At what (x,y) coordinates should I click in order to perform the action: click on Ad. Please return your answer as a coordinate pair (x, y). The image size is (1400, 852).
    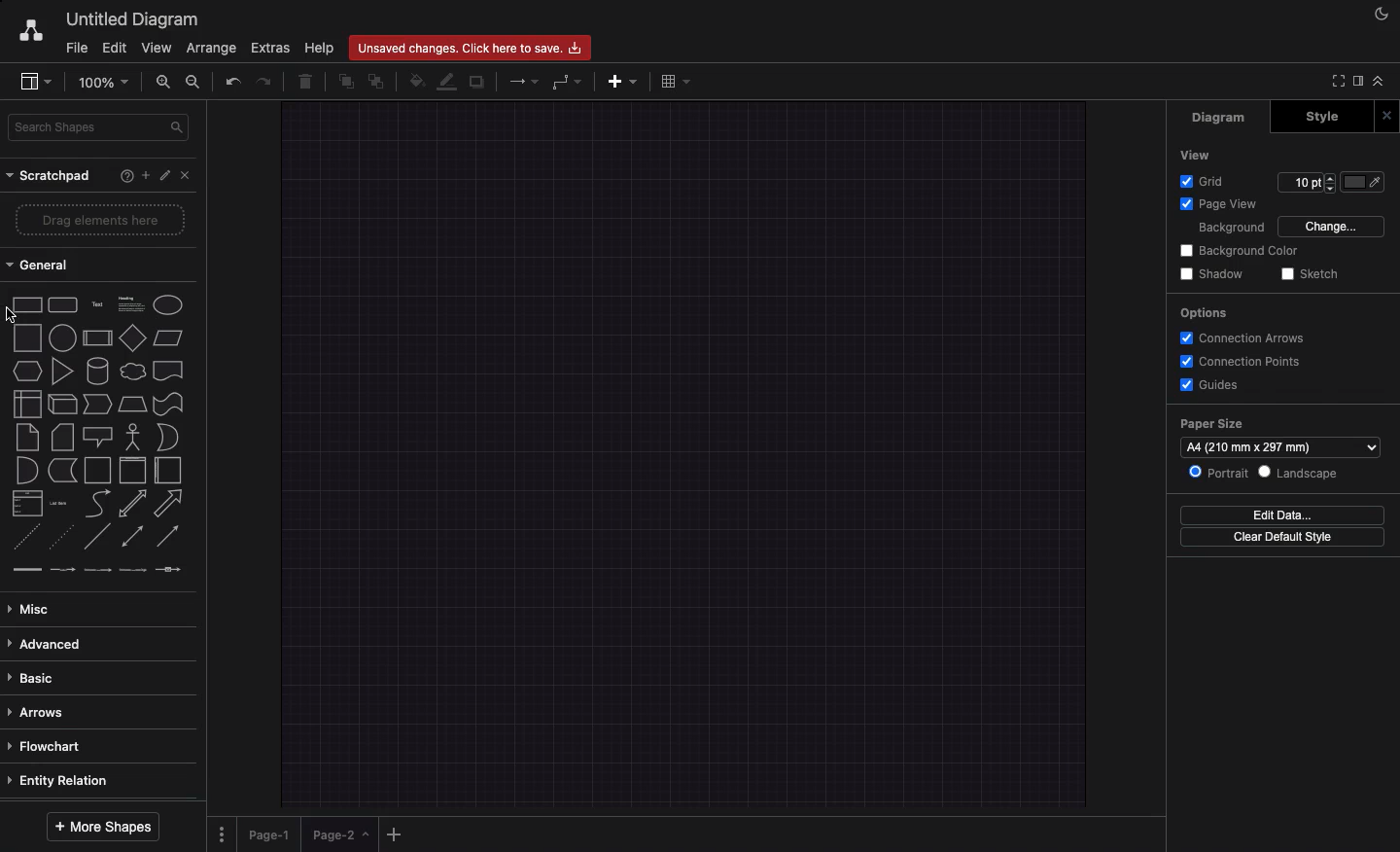
    Looking at the image, I should click on (624, 79).